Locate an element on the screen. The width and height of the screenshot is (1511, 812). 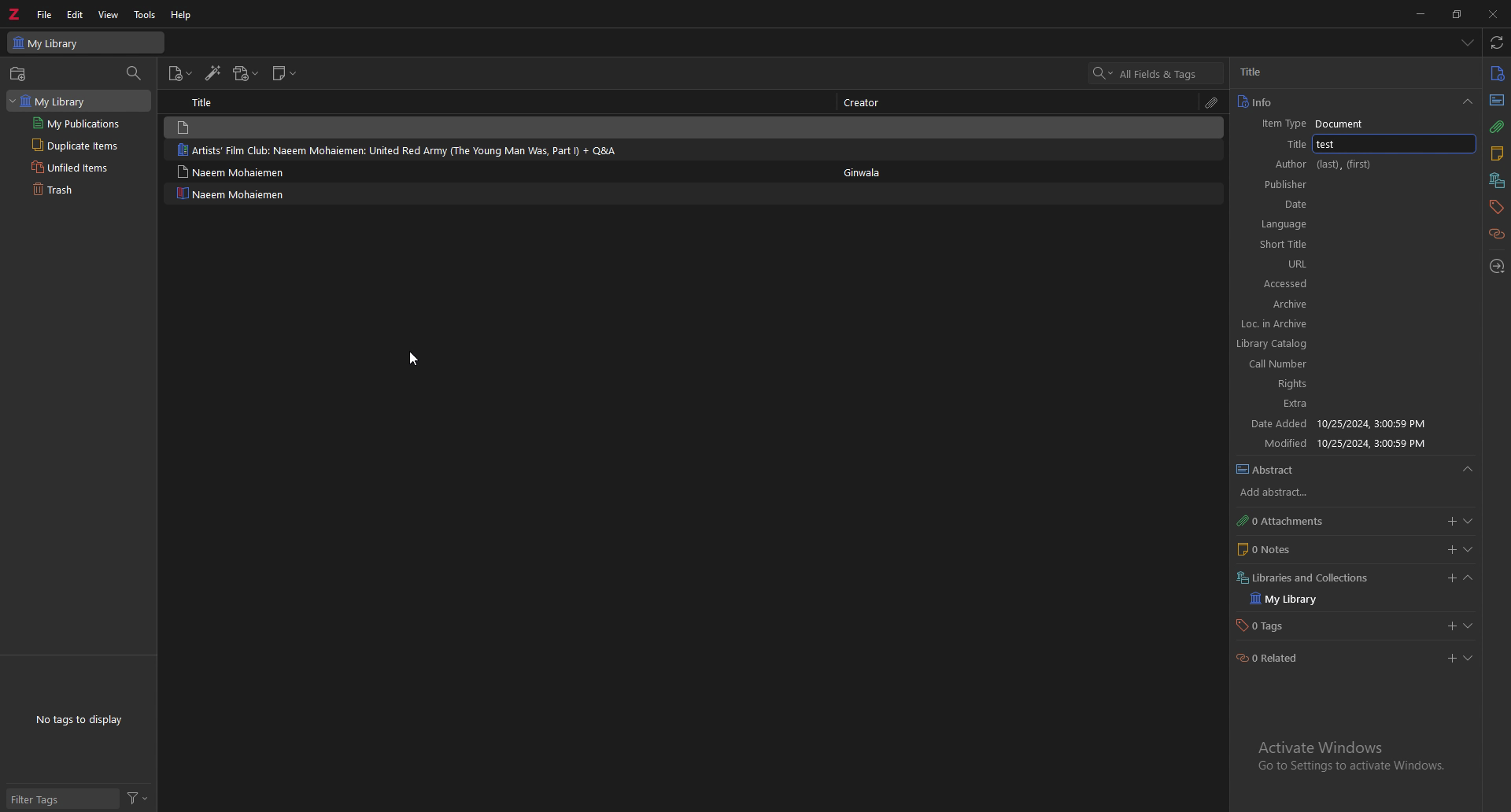
ginwala is located at coordinates (863, 174).